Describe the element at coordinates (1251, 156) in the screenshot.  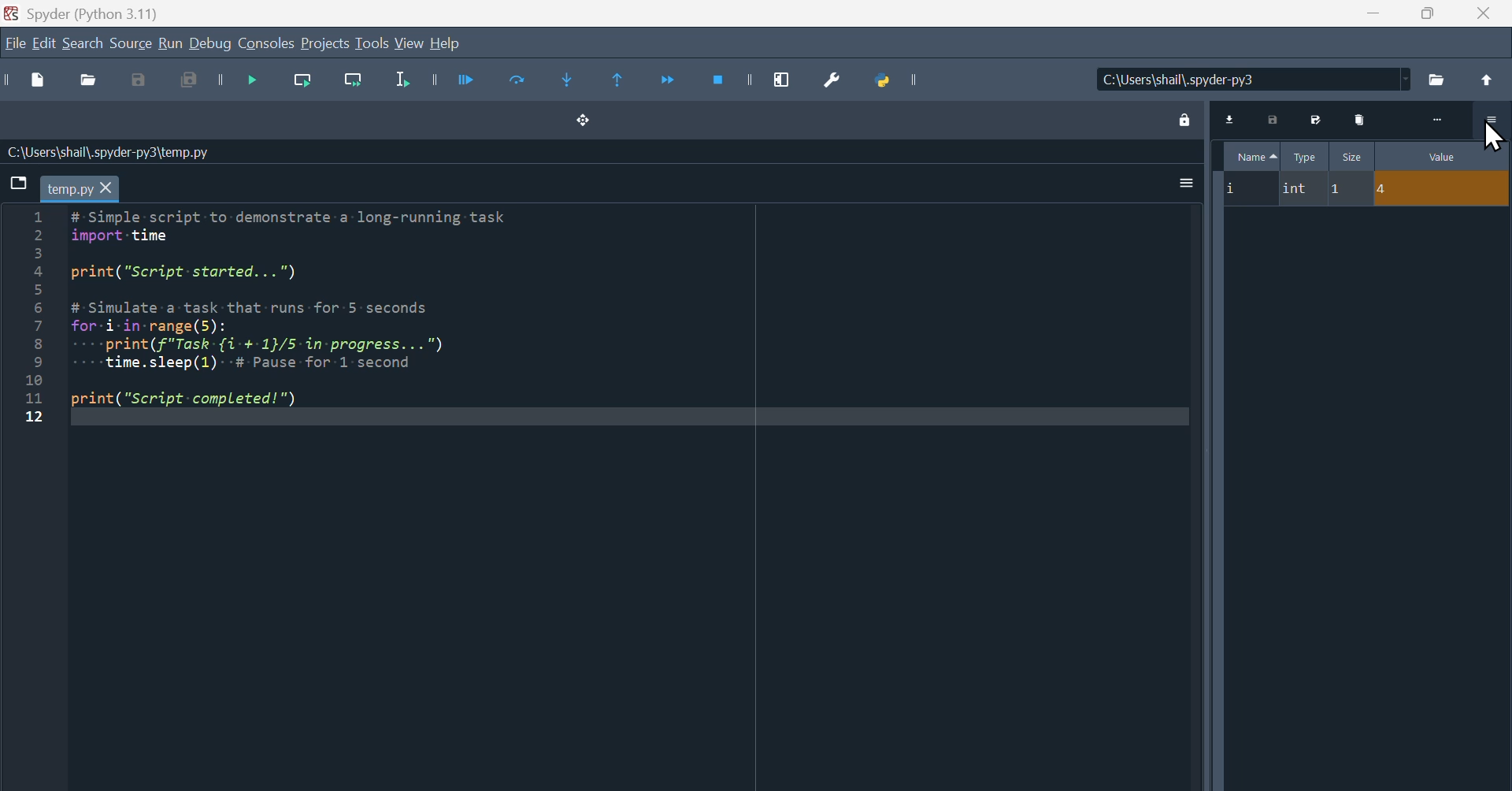
I see `Name` at that location.